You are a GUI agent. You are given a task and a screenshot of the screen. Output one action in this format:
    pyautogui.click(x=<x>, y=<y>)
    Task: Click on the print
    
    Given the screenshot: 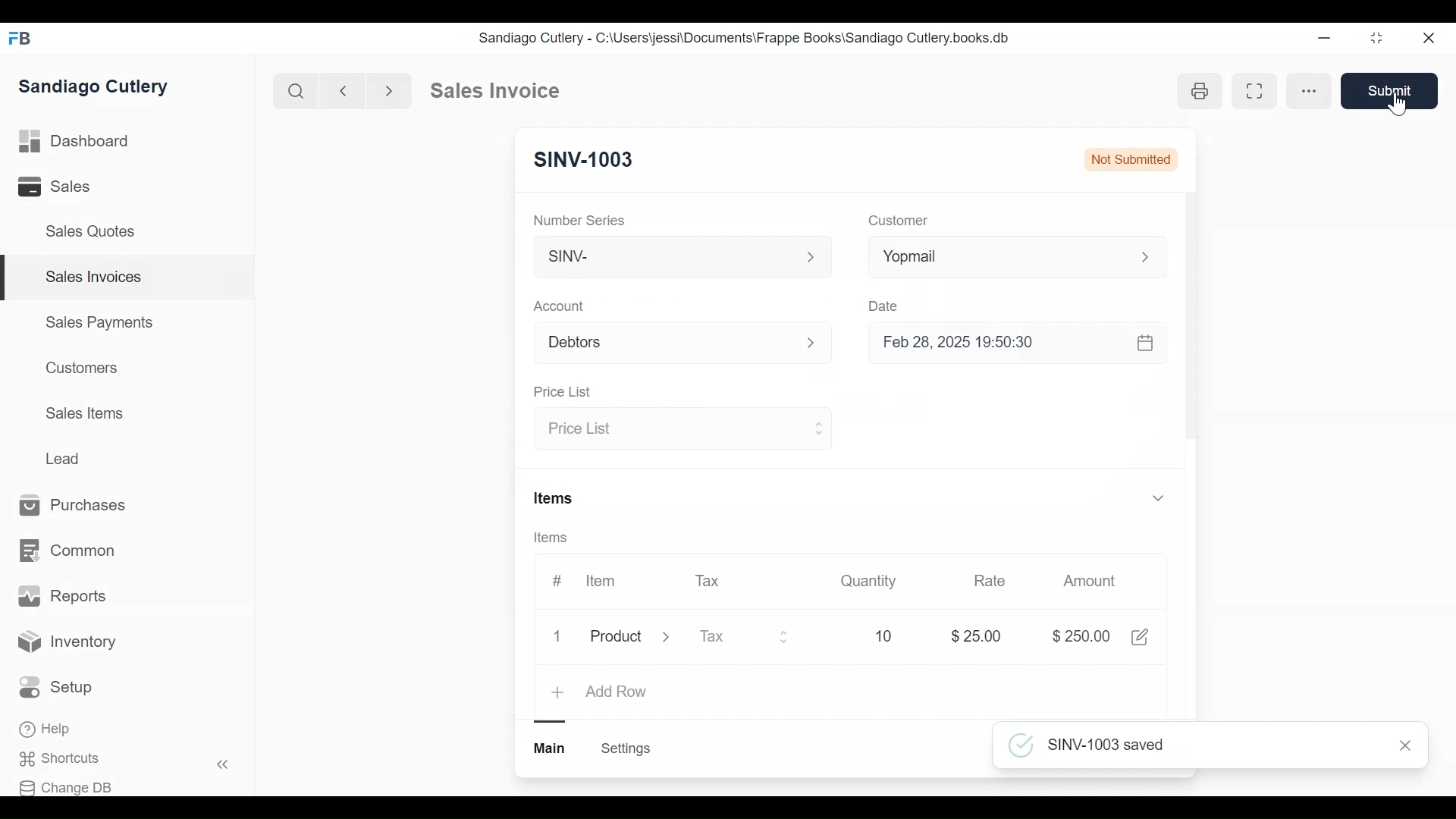 What is the action you would take?
    pyautogui.click(x=1203, y=92)
    